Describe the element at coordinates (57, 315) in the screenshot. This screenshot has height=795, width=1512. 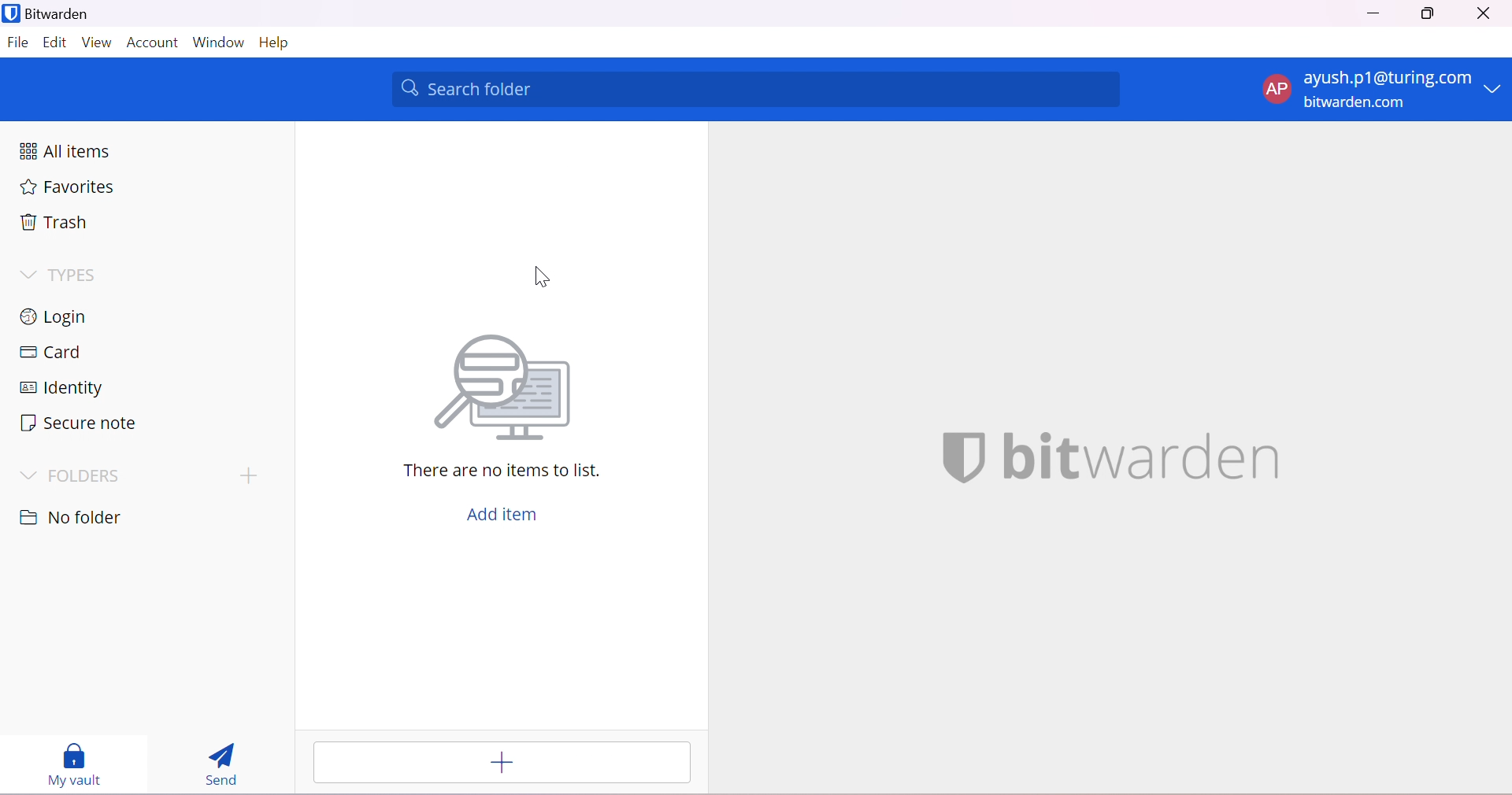
I see `Login` at that location.